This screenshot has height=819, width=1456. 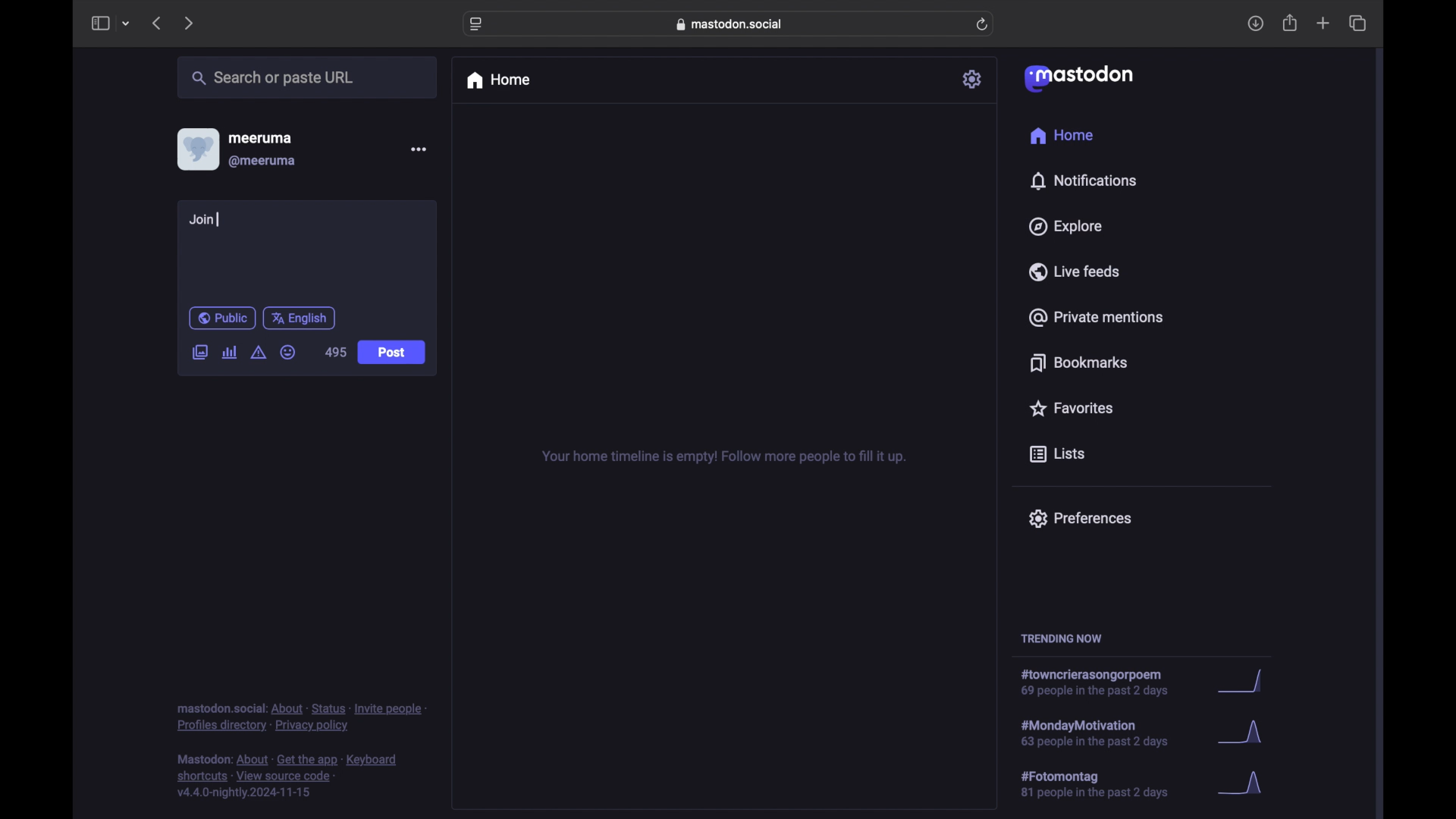 What do you see at coordinates (290, 777) in the screenshot?
I see `footnote` at bounding box center [290, 777].